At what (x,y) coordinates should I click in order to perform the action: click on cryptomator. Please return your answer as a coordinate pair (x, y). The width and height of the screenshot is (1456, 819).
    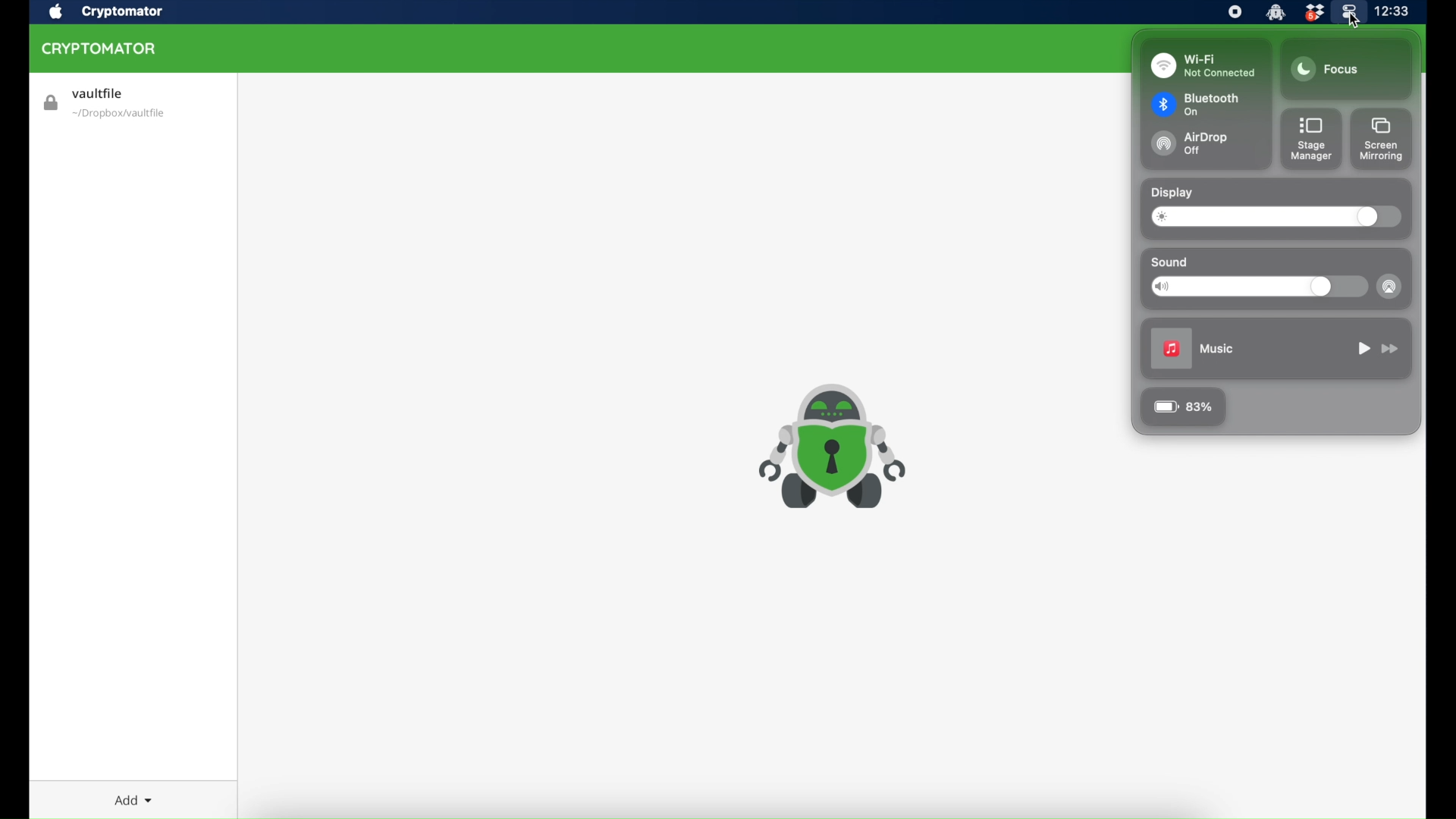
    Looking at the image, I should click on (122, 12).